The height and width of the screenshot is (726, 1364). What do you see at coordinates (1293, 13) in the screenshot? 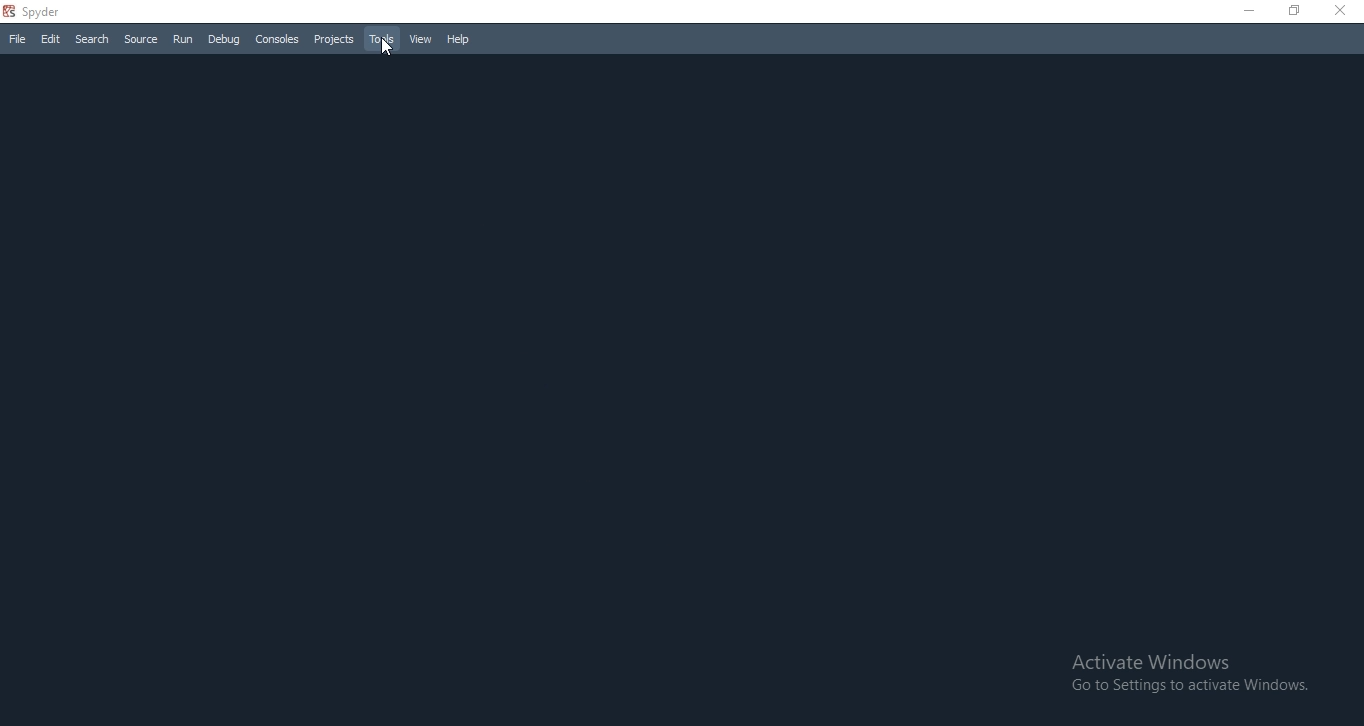
I see `restore` at bounding box center [1293, 13].